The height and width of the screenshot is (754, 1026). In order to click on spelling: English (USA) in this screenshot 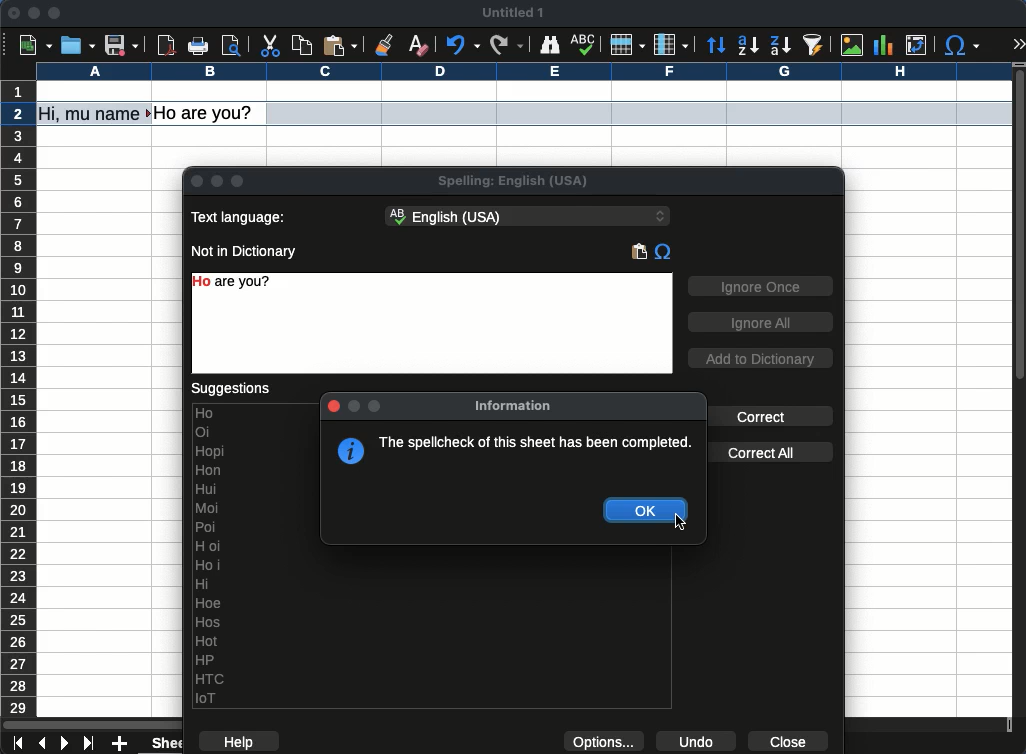, I will do `click(511, 183)`.